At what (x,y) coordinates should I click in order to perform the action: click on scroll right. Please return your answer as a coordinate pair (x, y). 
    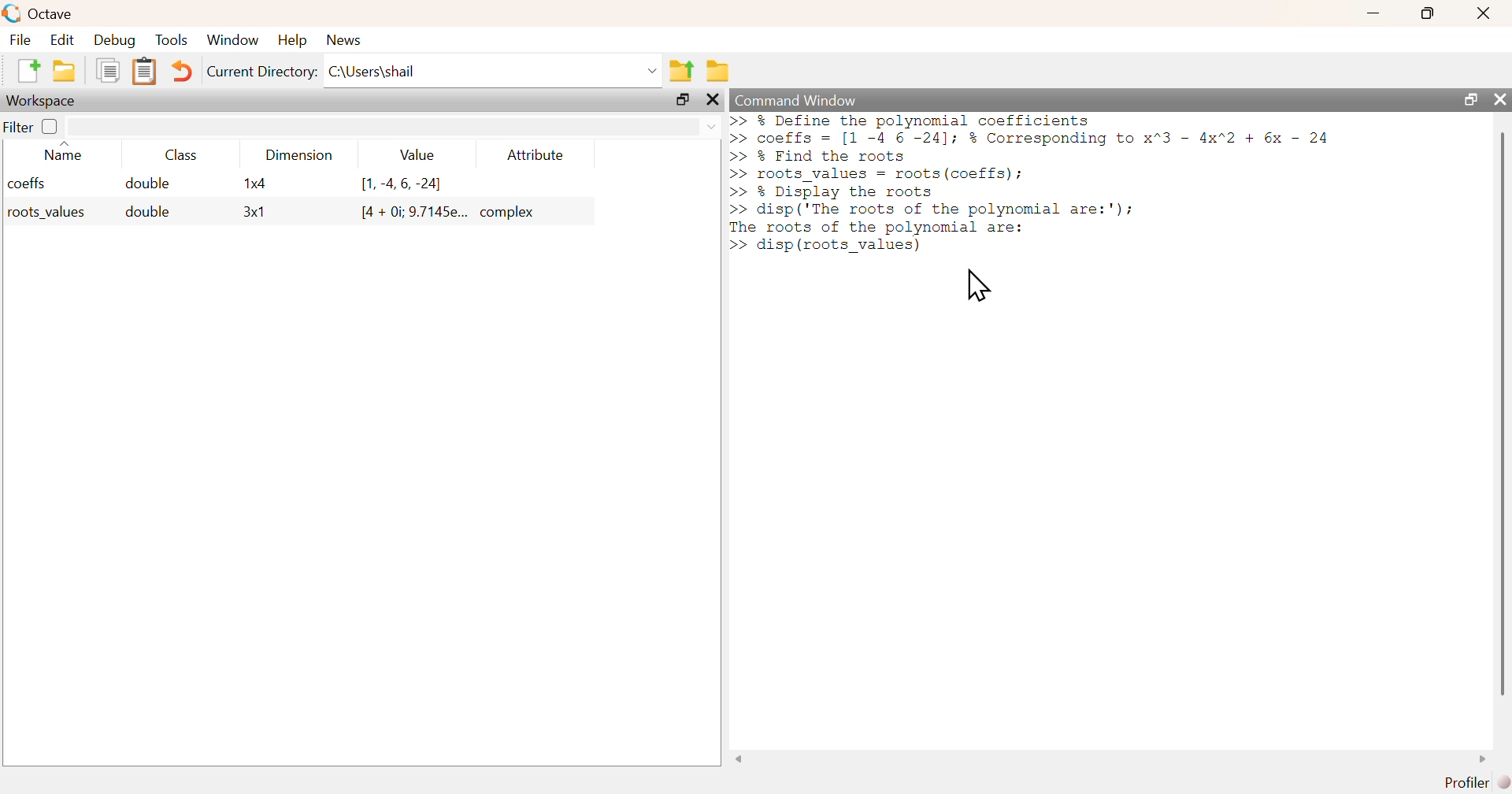
    Looking at the image, I should click on (1486, 759).